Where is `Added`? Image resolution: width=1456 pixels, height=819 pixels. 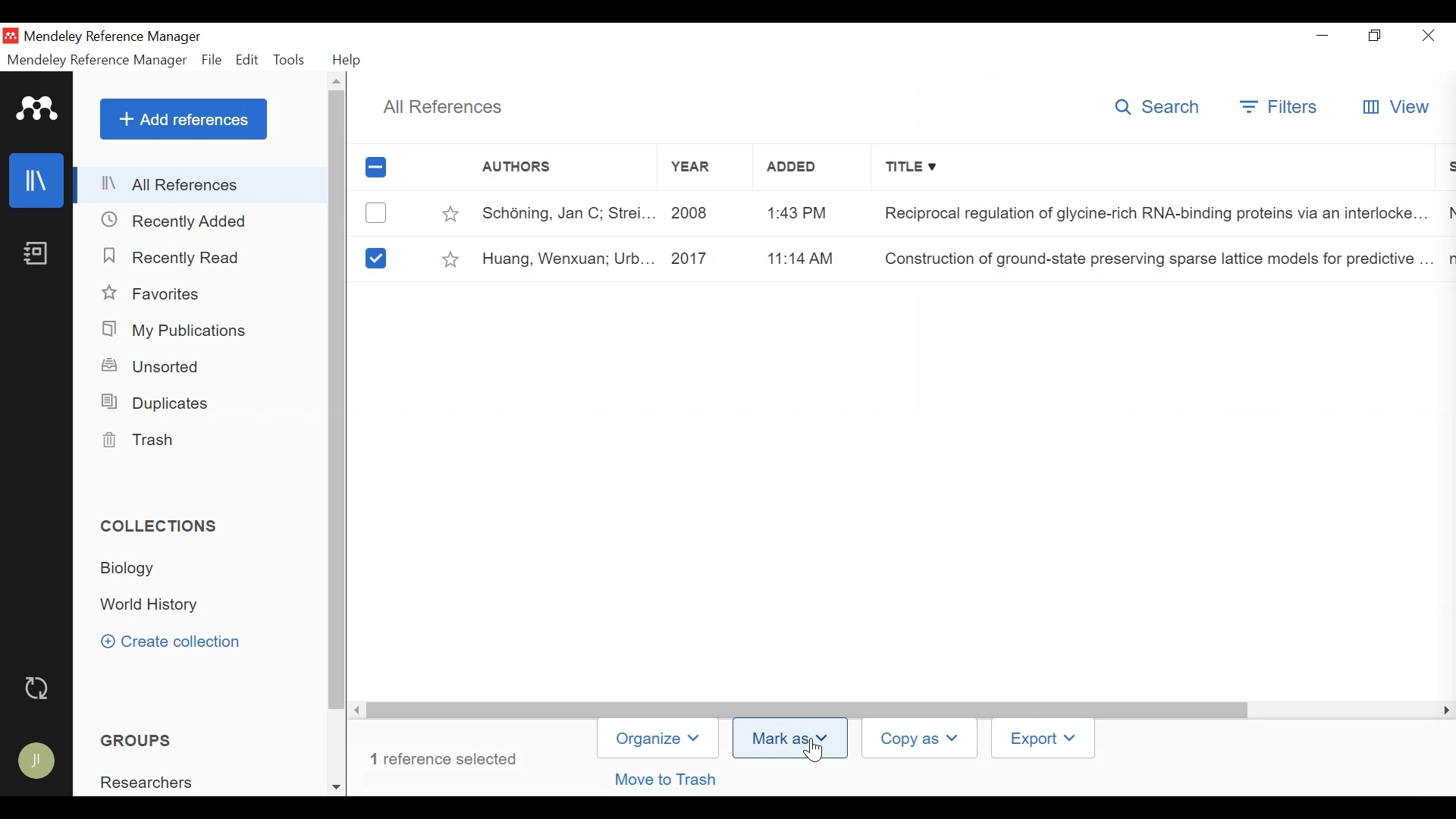 Added is located at coordinates (797, 171).